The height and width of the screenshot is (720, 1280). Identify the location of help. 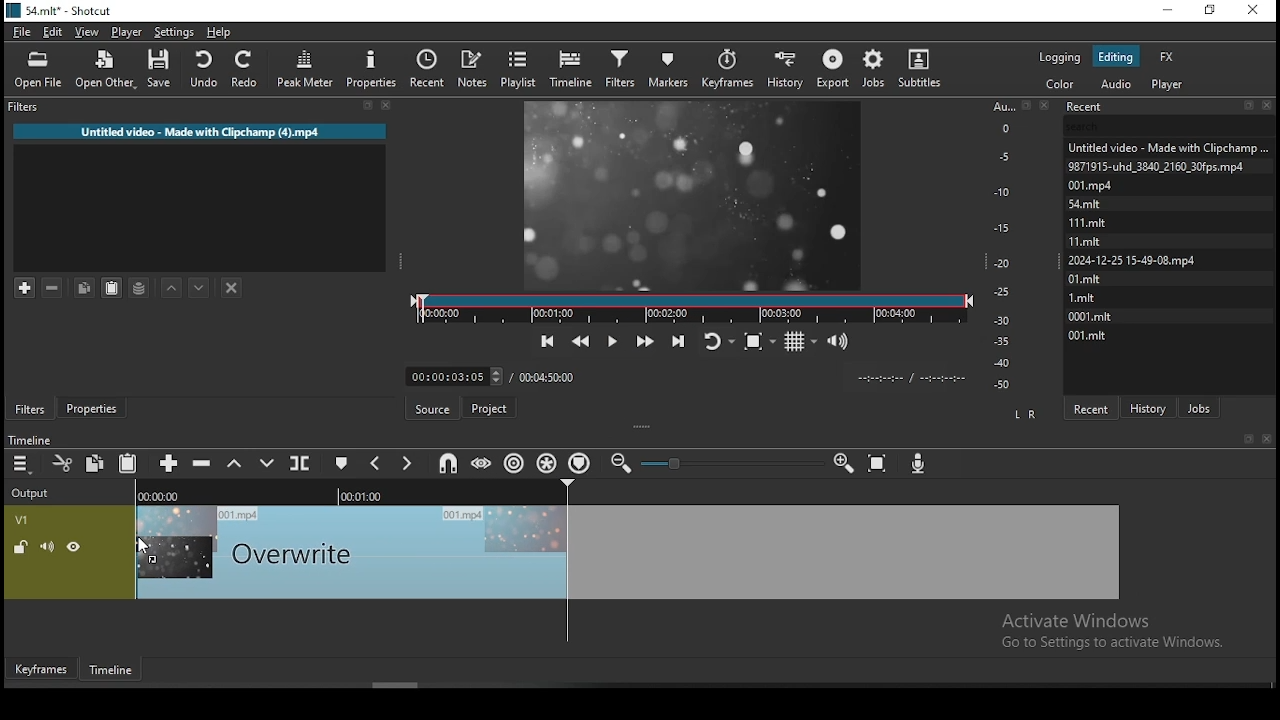
(218, 32).